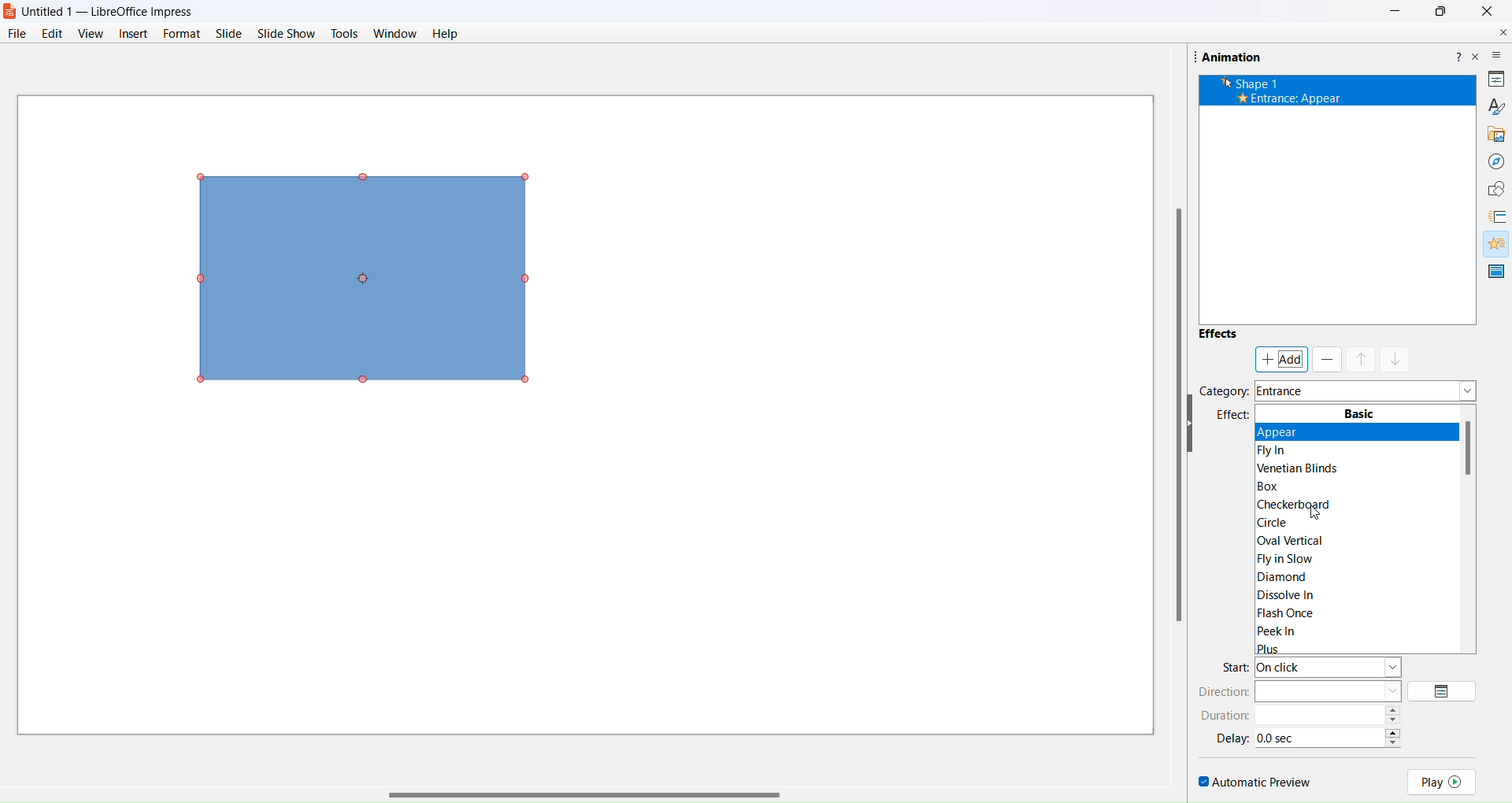 The height and width of the screenshot is (803, 1512). Describe the element at coordinates (445, 35) in the screenshot. I see `help` at that location.